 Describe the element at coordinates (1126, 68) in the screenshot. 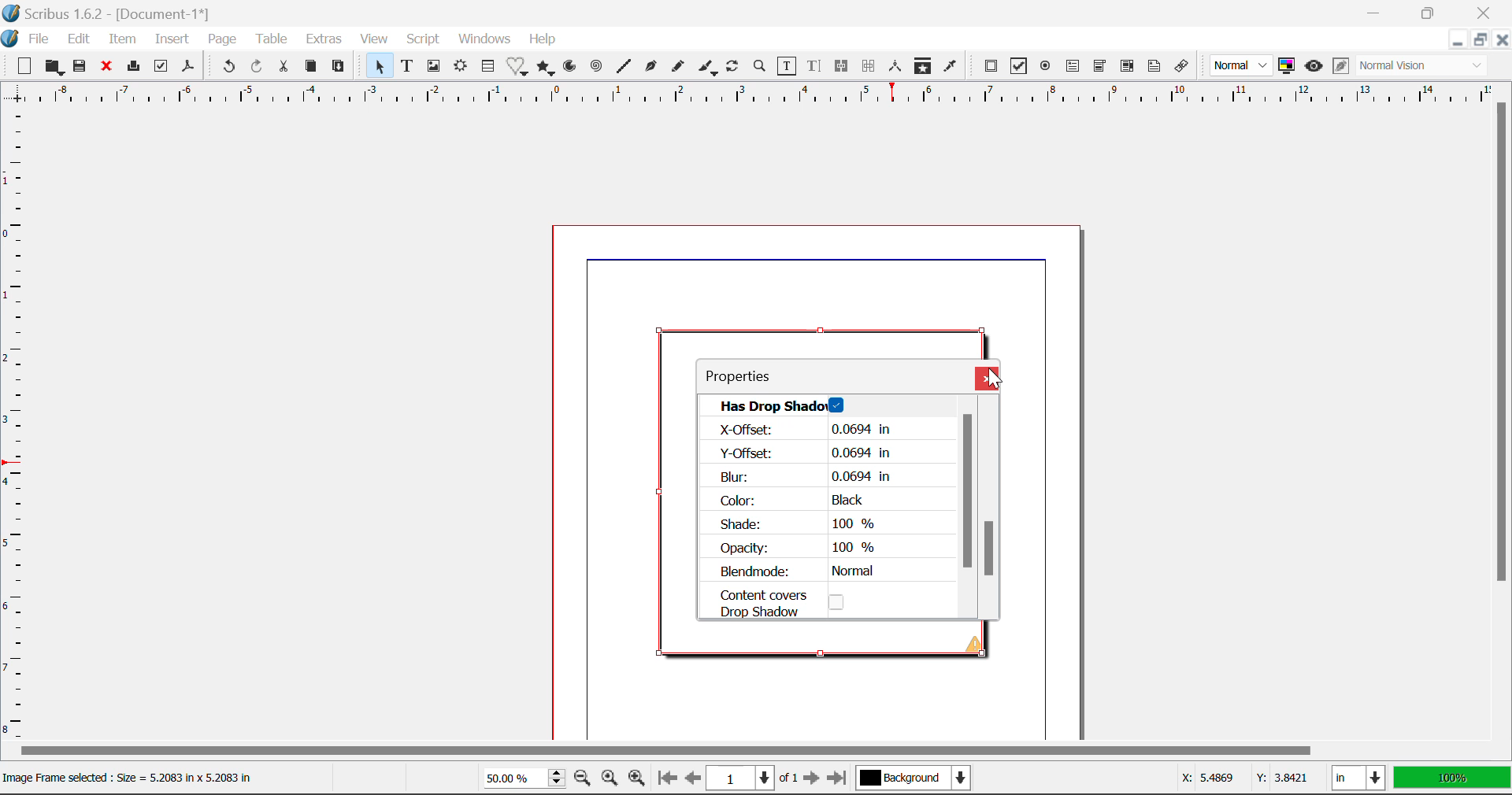

I see `Pdf List box` at that location.